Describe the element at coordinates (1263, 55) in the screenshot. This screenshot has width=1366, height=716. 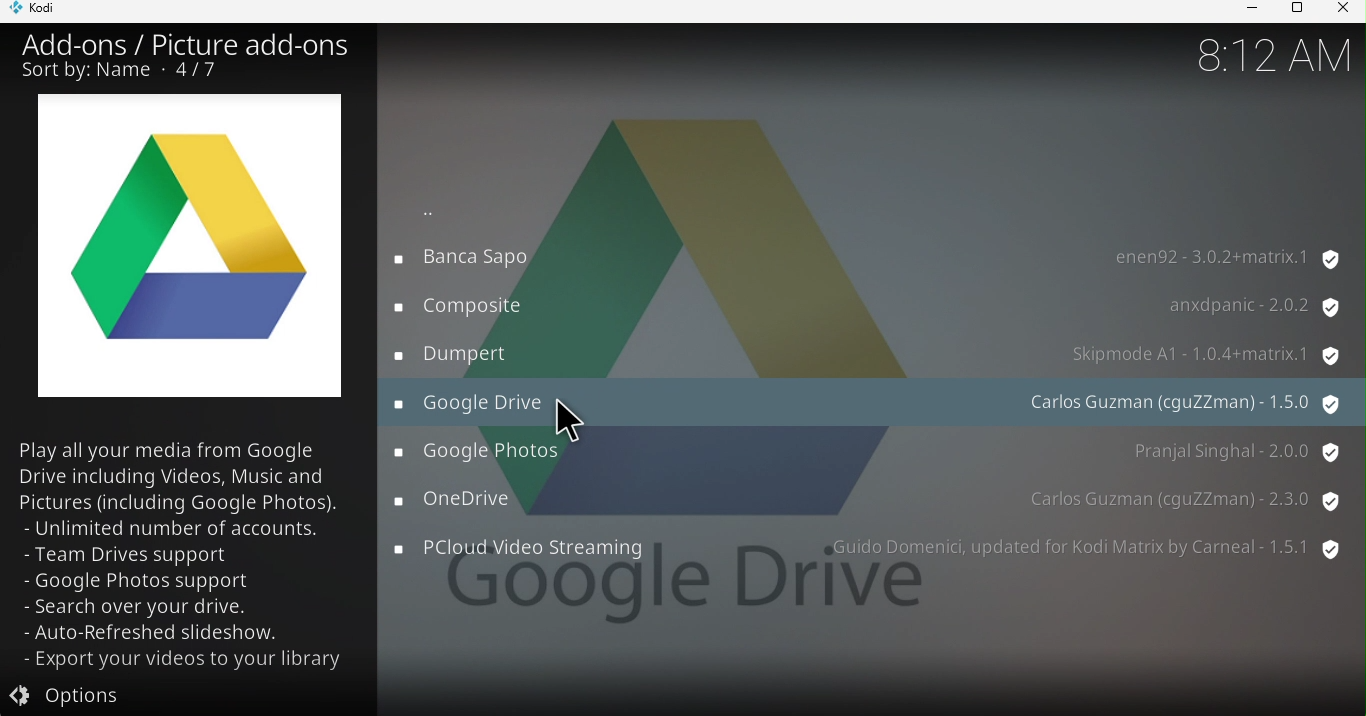
I see `Time` at that location.